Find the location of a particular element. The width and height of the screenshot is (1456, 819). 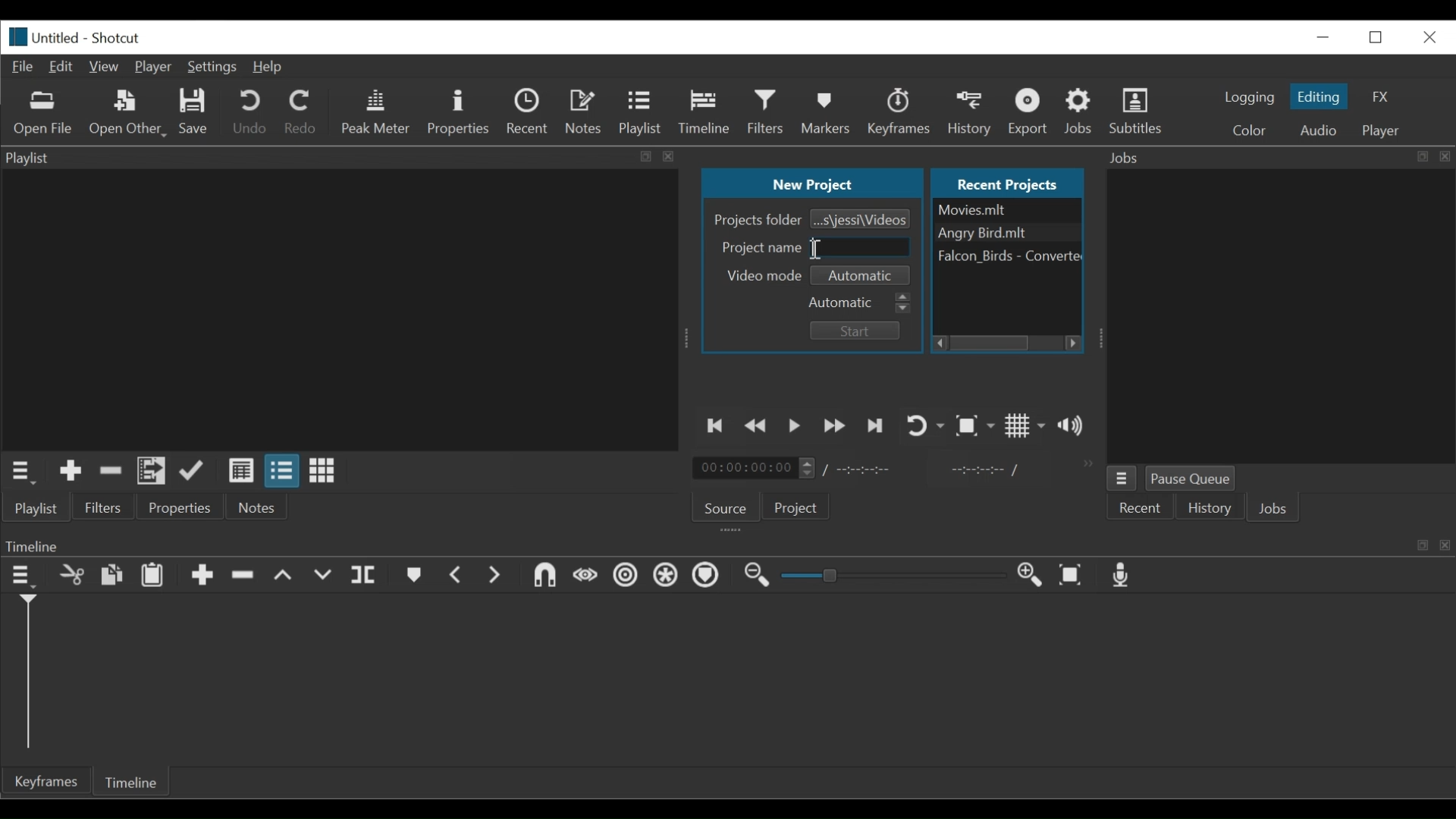

Properties is located at coordinates (459, 111).